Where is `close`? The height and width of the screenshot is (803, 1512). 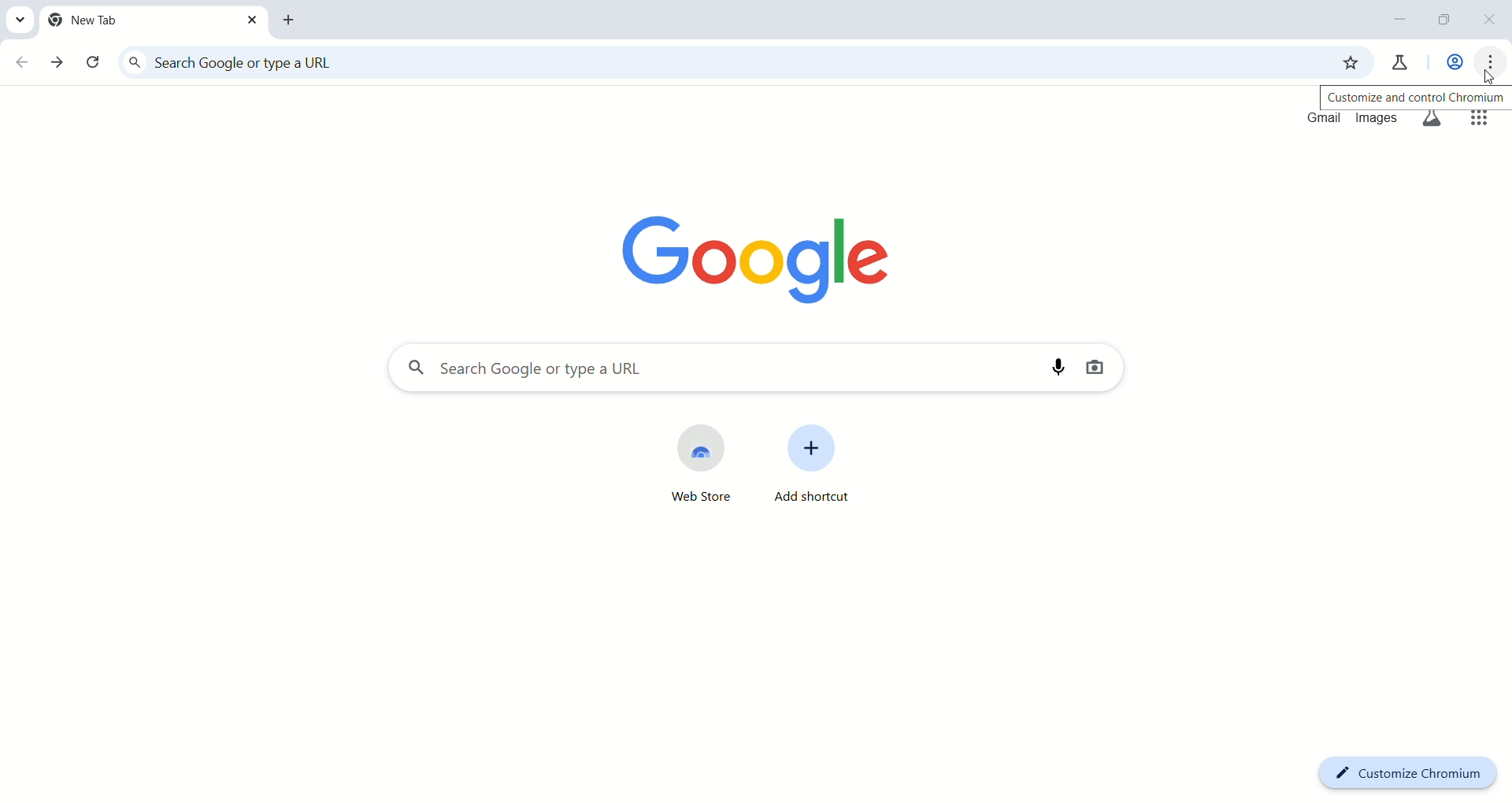
close is located at coordinates (1494, 23).